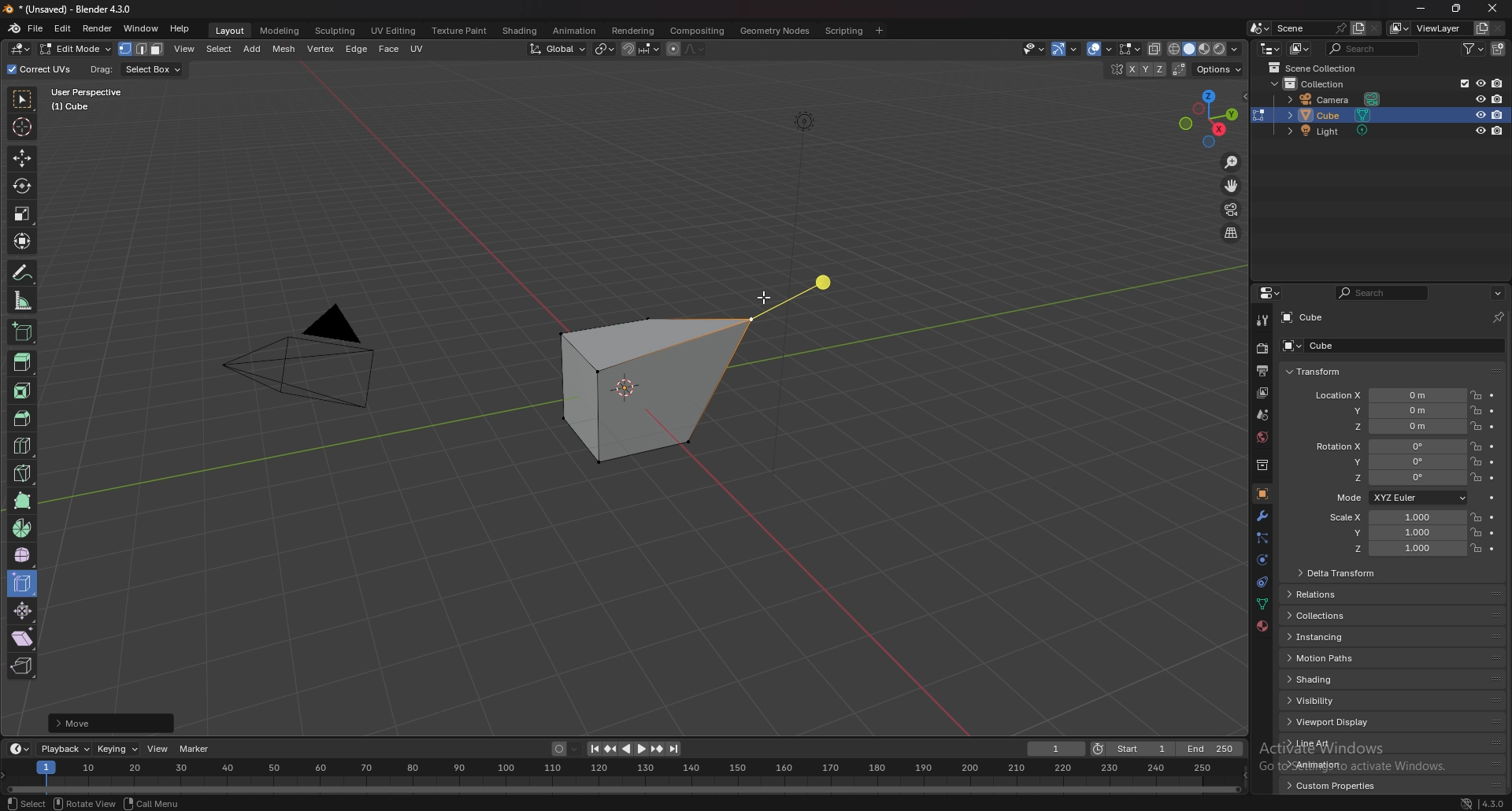  I want to click on inset faces, so click(21, 391).